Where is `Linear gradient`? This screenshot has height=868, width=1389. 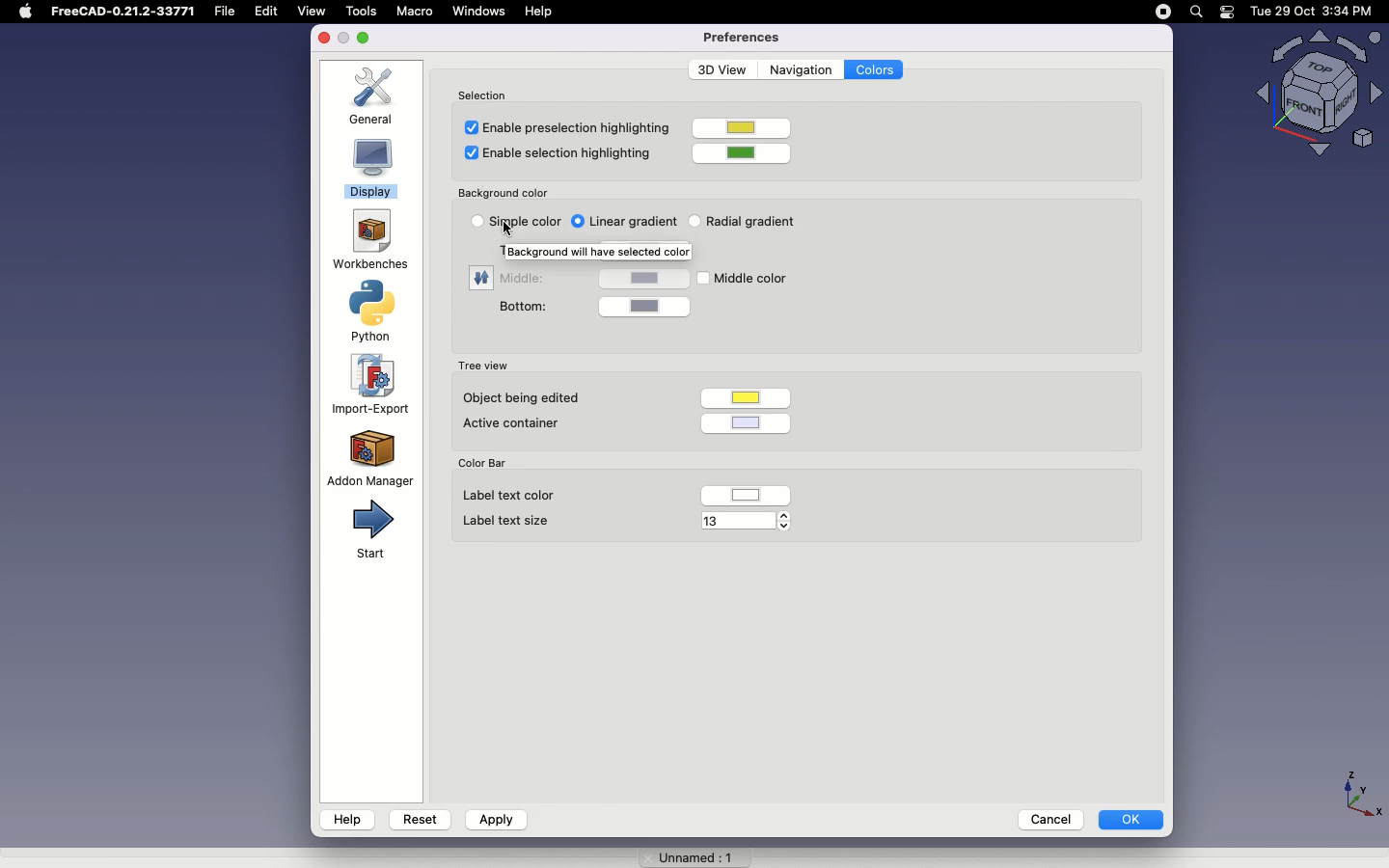
Linear gradient is located at coordinates (639, 220).